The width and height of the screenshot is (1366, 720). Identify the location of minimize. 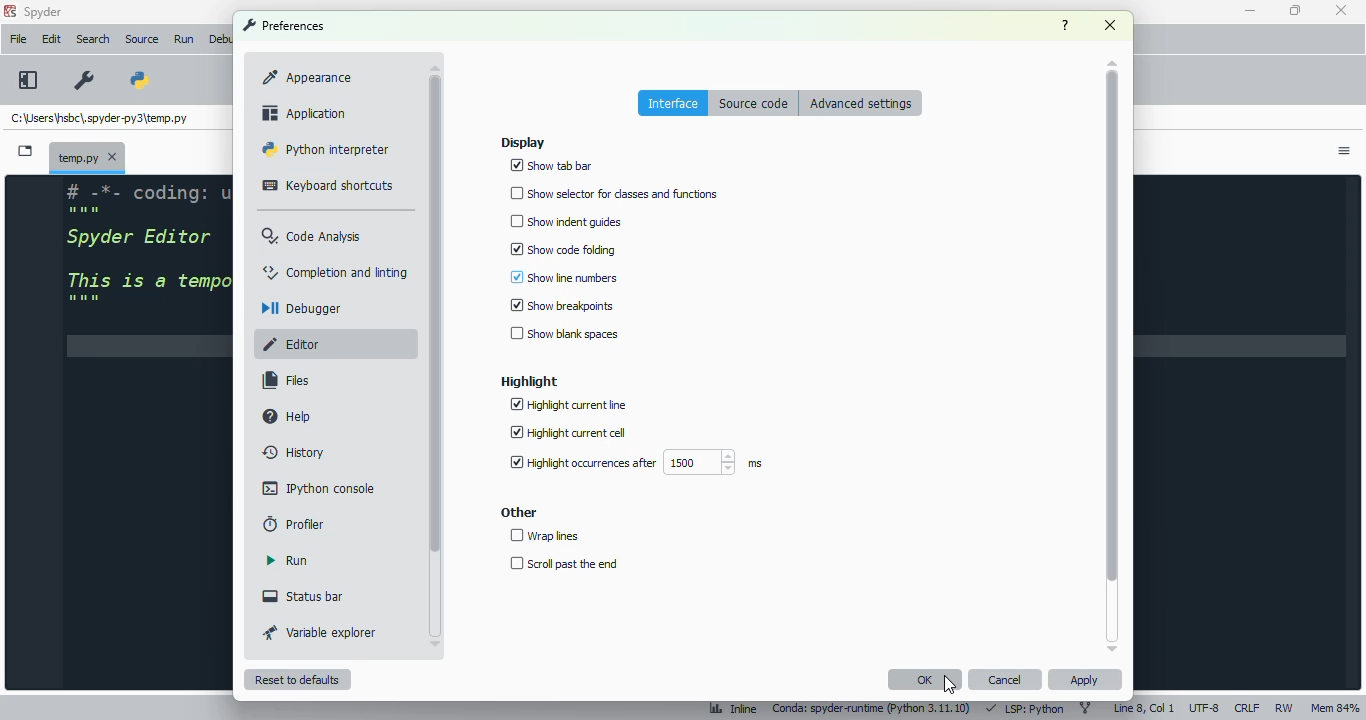
(1252, 11).